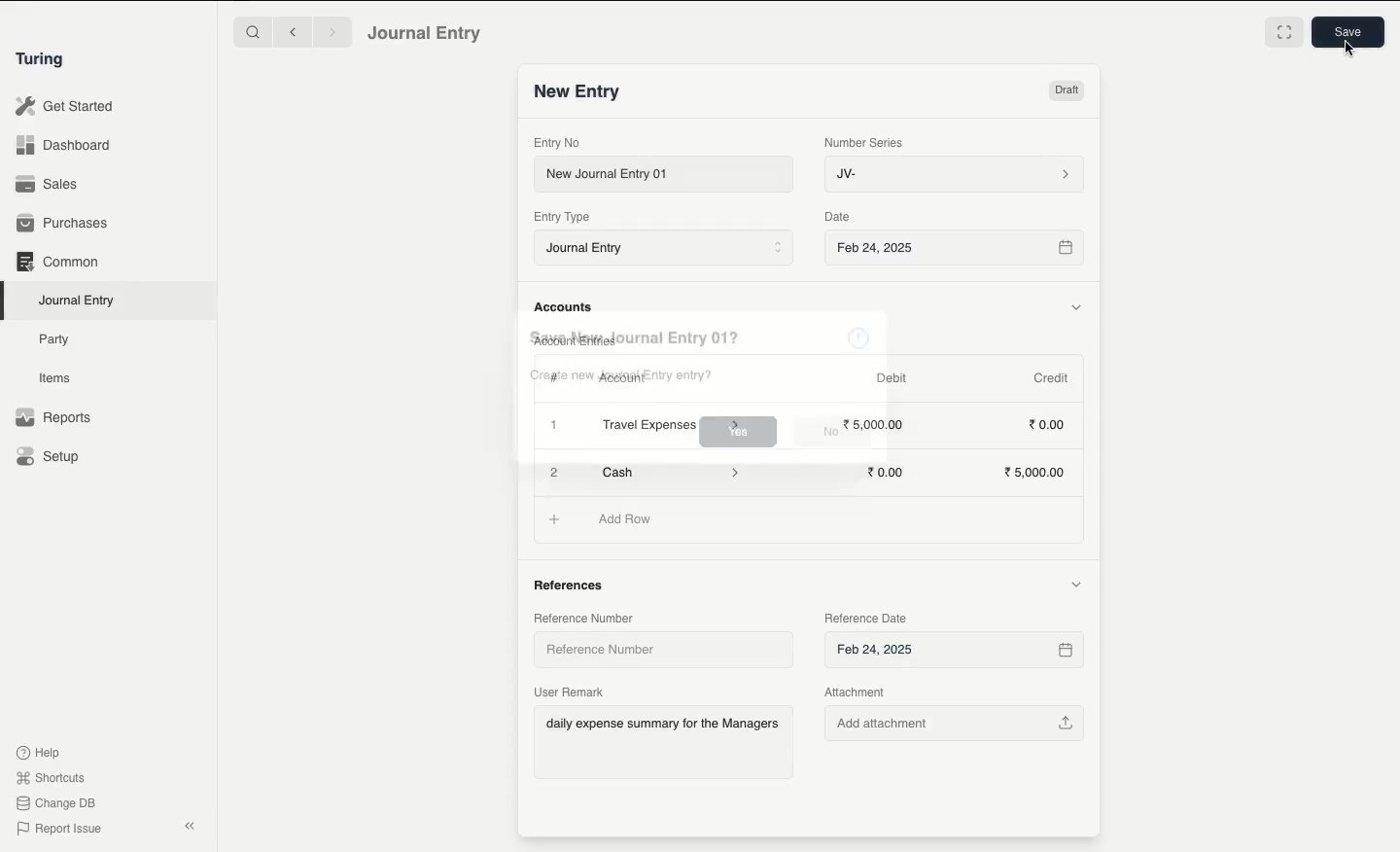 This screenshot has height=852, width=1400. I want to click on Entry No, so click(557, 143).